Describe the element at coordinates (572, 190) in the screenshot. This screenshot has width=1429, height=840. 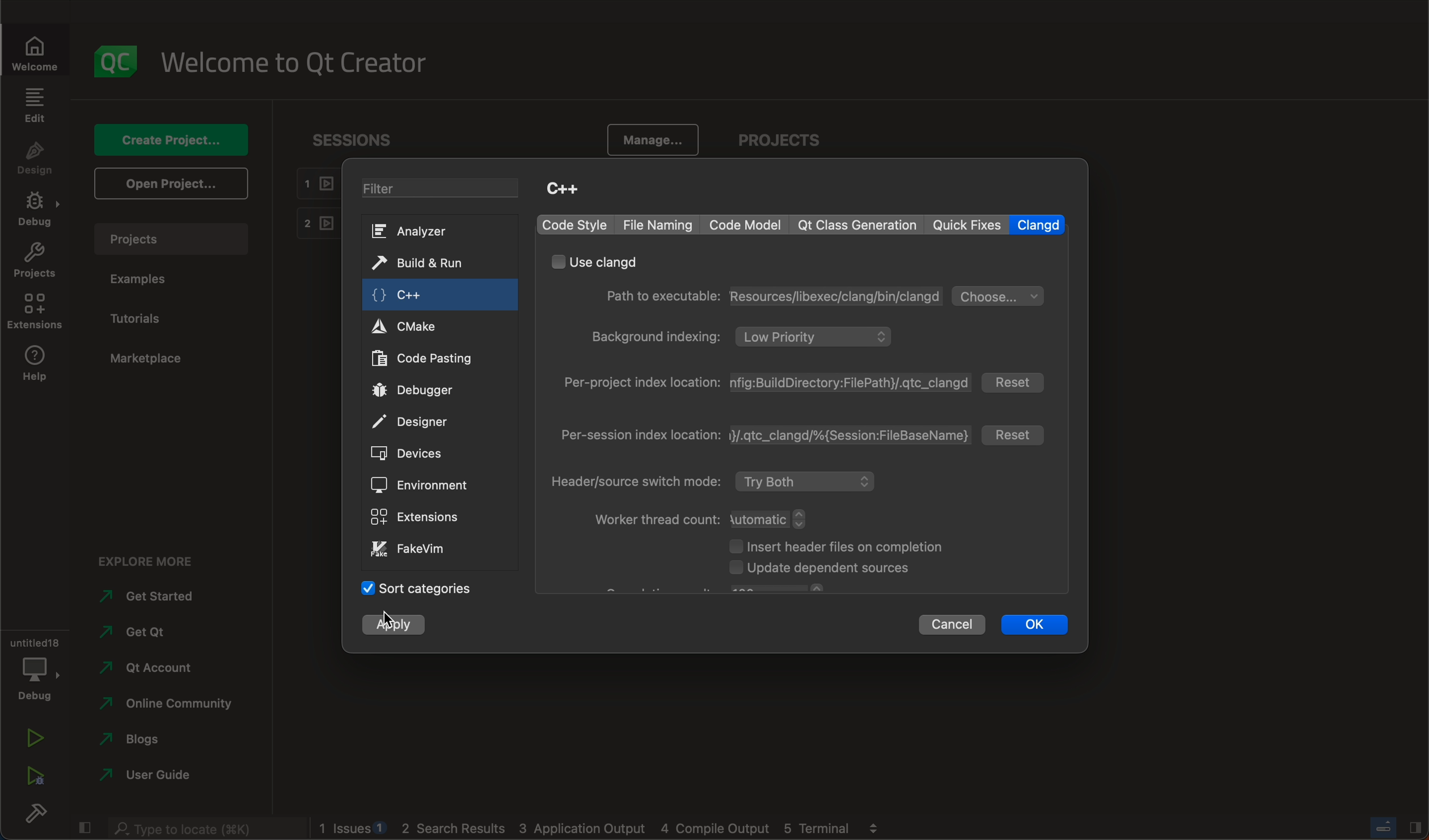
I see `C++` at that location.